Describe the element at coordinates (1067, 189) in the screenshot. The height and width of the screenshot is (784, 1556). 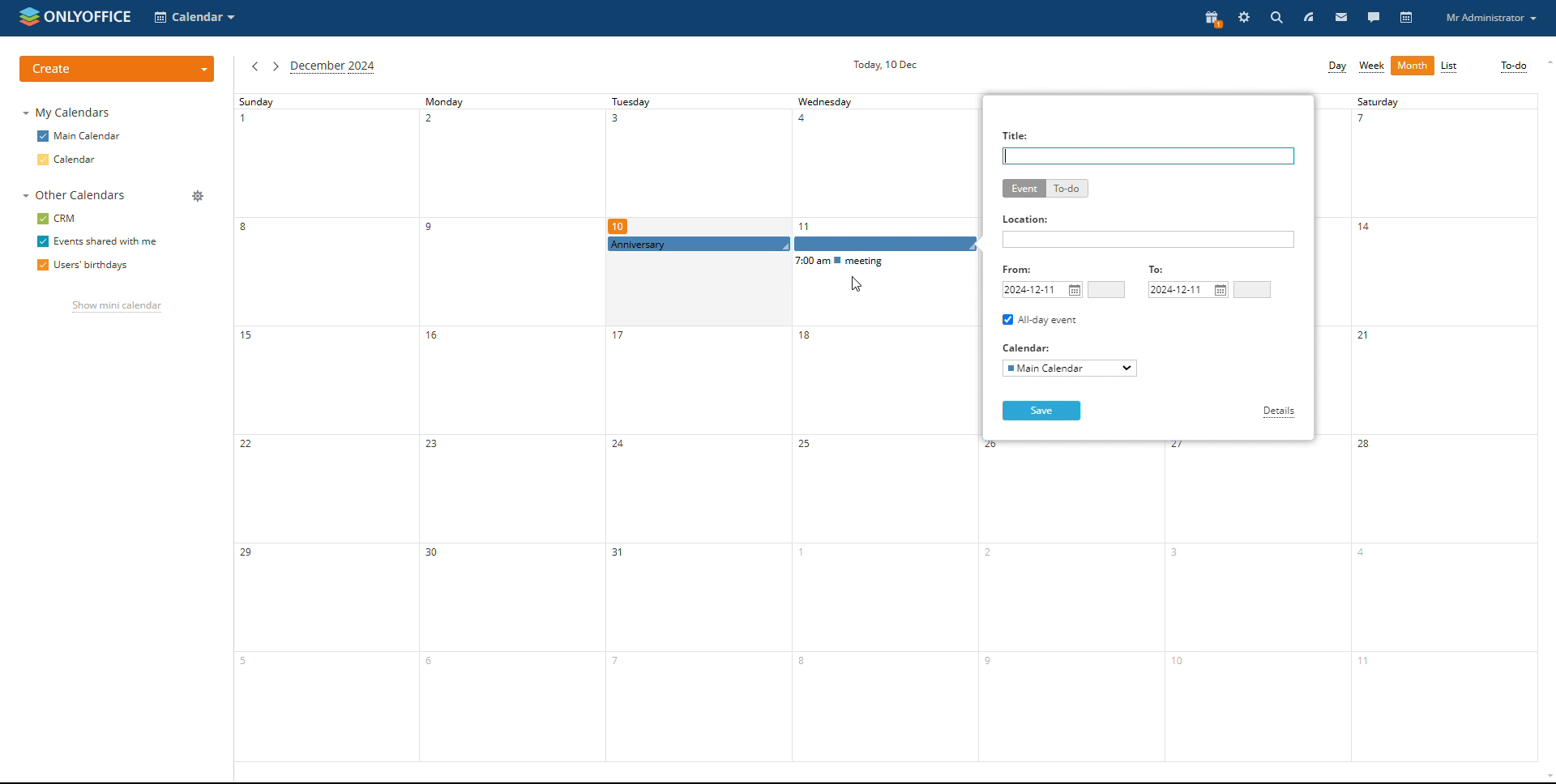
I see `to-do` at that location.